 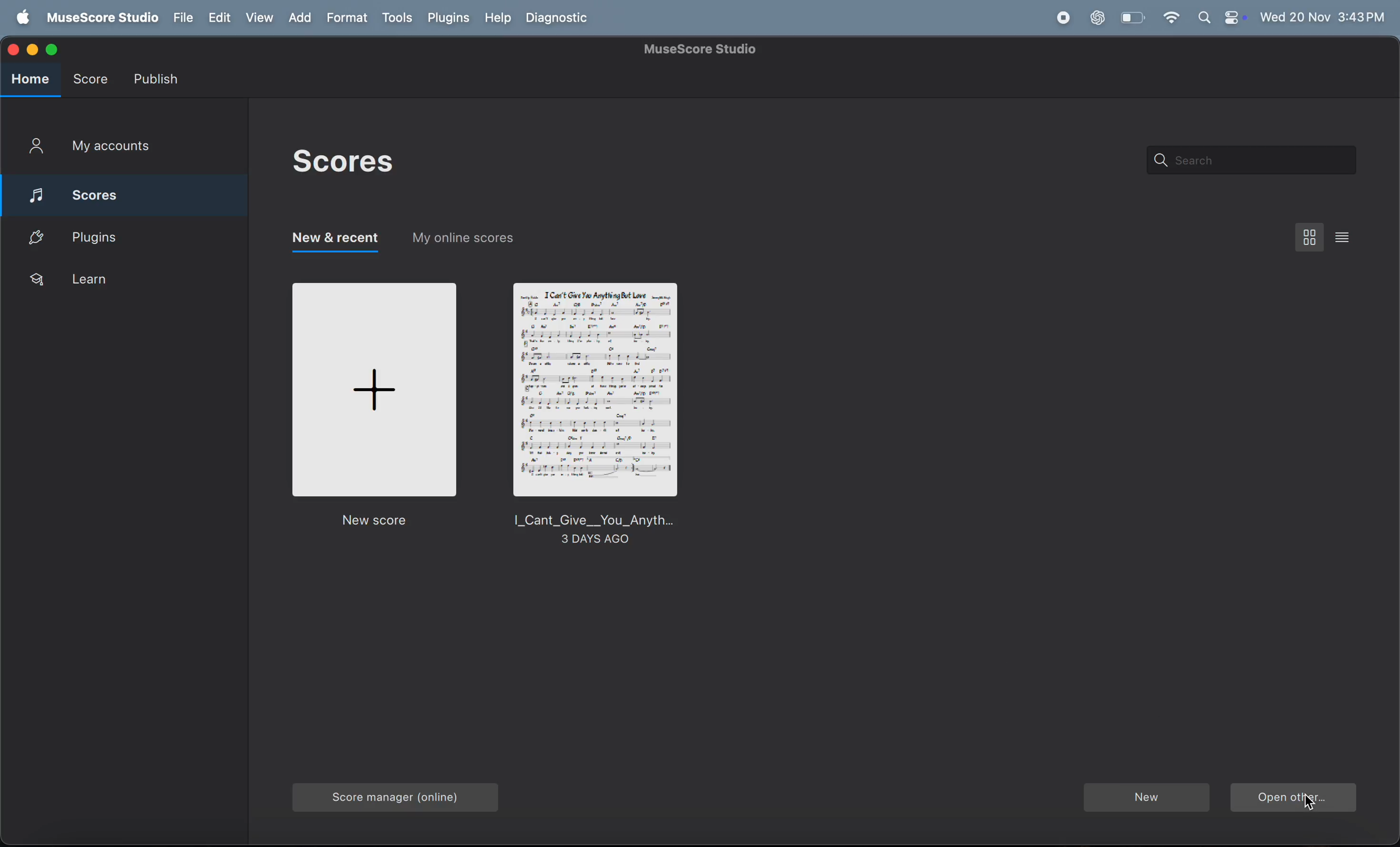 I want to click on new score, so click(x=372, y=408).